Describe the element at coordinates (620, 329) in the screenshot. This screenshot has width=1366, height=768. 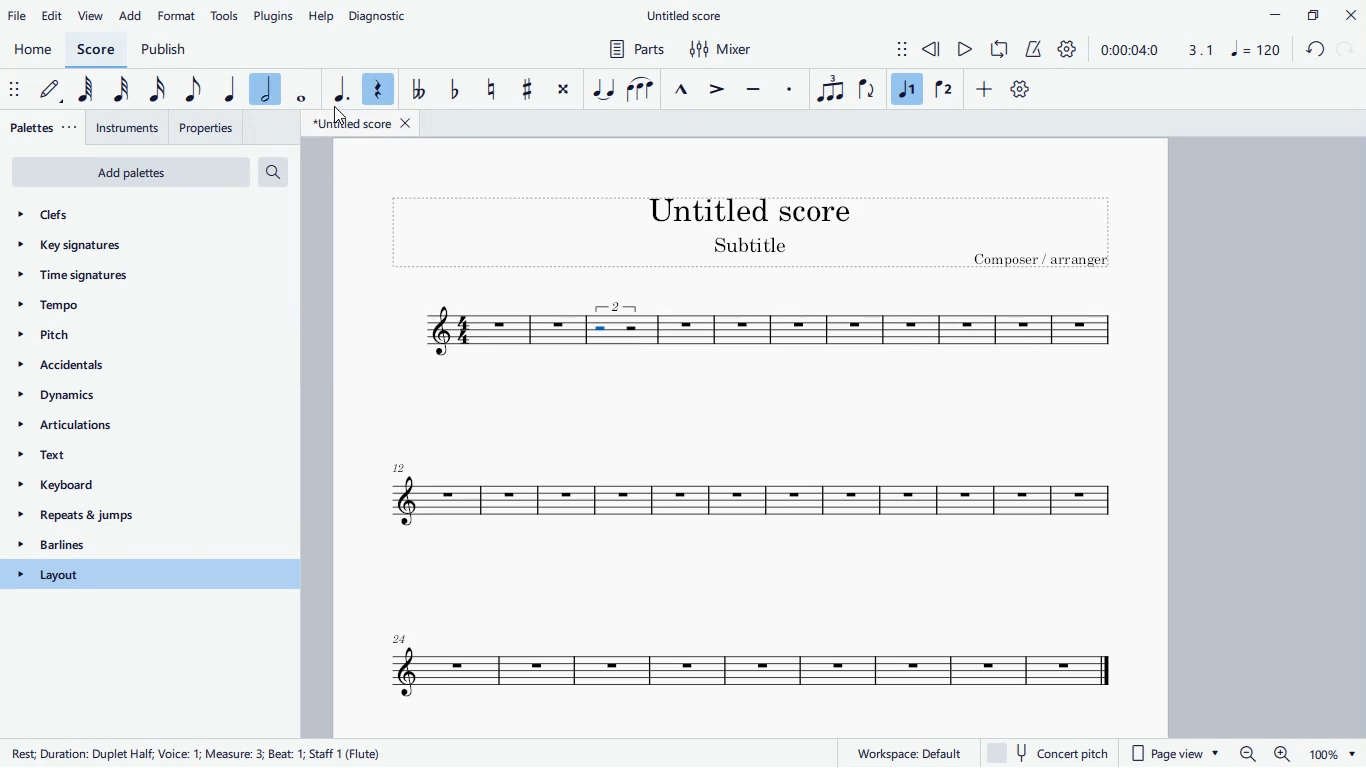
I see `duplet added` at that location.